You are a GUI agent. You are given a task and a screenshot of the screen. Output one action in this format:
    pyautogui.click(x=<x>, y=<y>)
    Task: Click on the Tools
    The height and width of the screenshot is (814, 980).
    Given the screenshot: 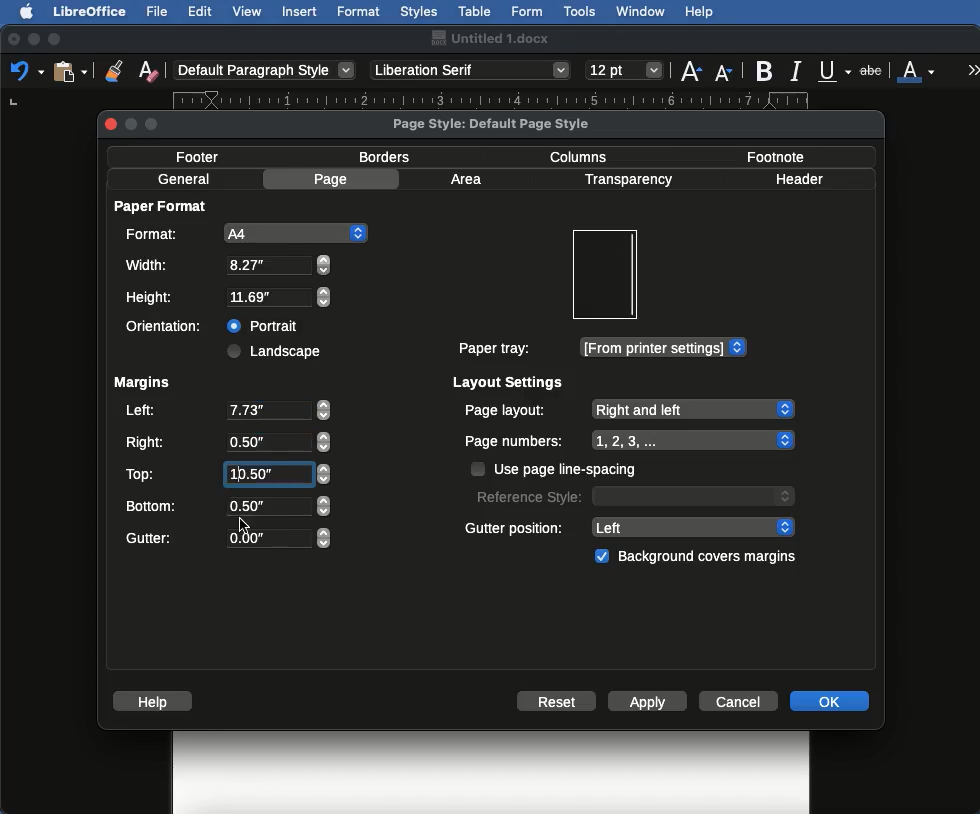 What is the action you would take?
    pyautogui.click(x=581, y=12)
    